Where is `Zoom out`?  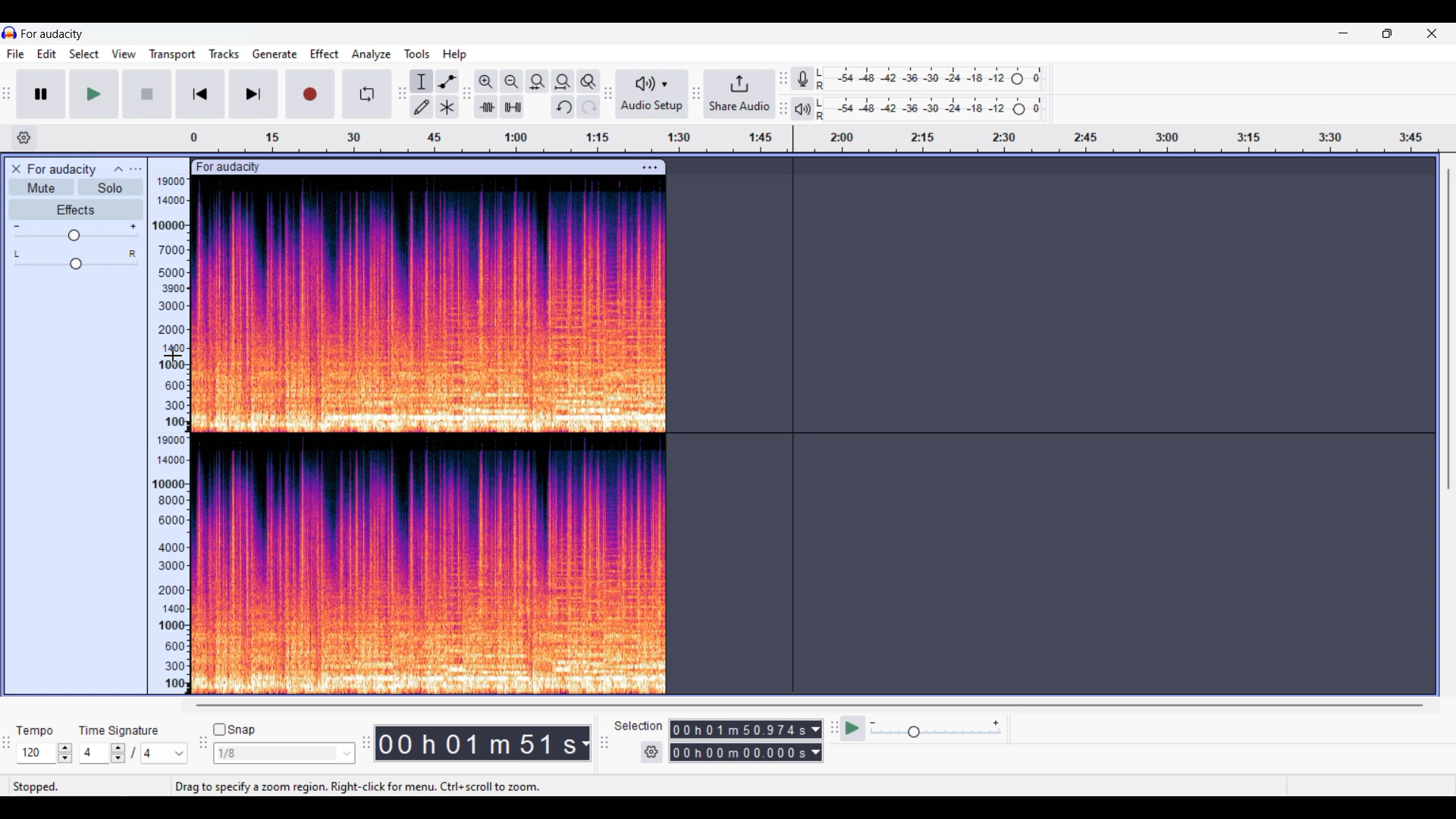
Zoom out is located at coordinates (512, 81).